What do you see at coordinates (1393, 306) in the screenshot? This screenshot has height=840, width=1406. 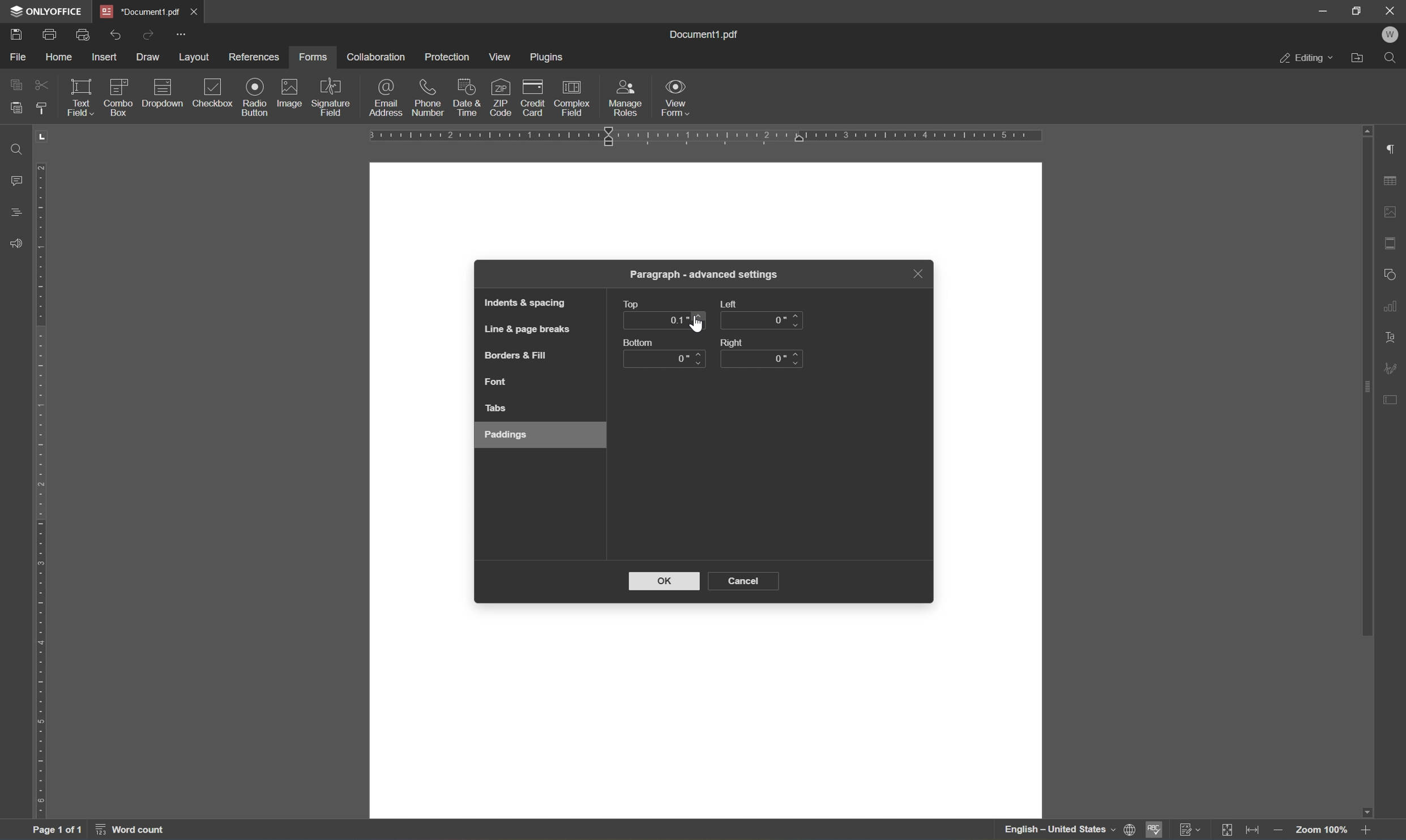 I see `chart settings` at bounding box center [1393, 306].